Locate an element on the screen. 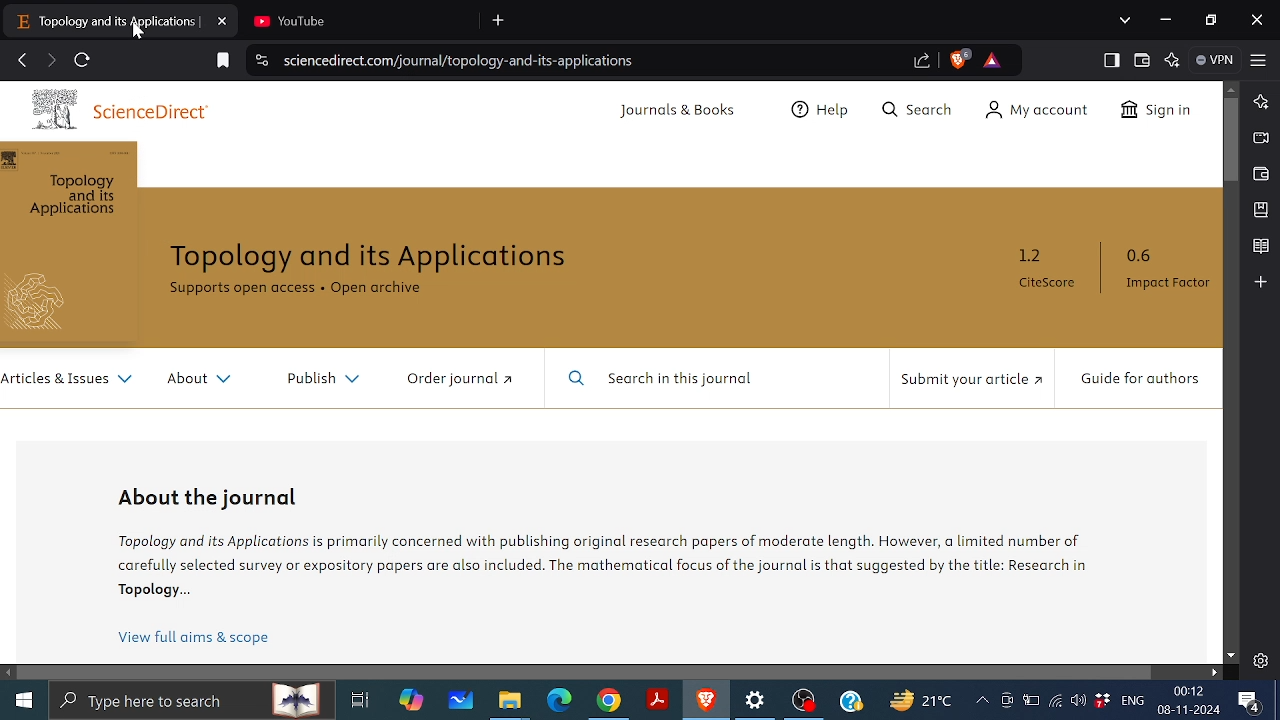  Move left is located at coordinates (9, 673).